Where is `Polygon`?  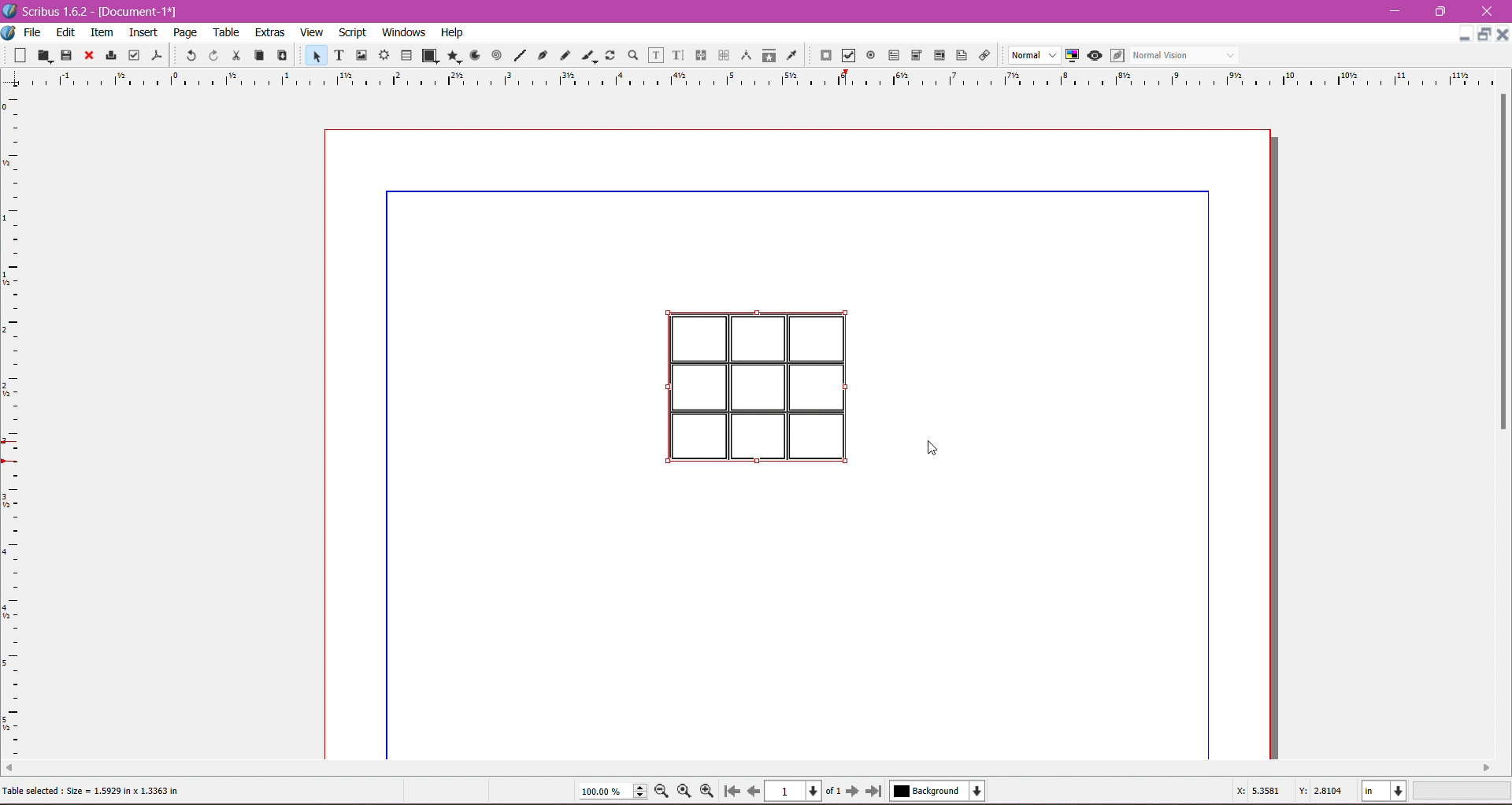 Polygon is located at coordinates (451, 55).